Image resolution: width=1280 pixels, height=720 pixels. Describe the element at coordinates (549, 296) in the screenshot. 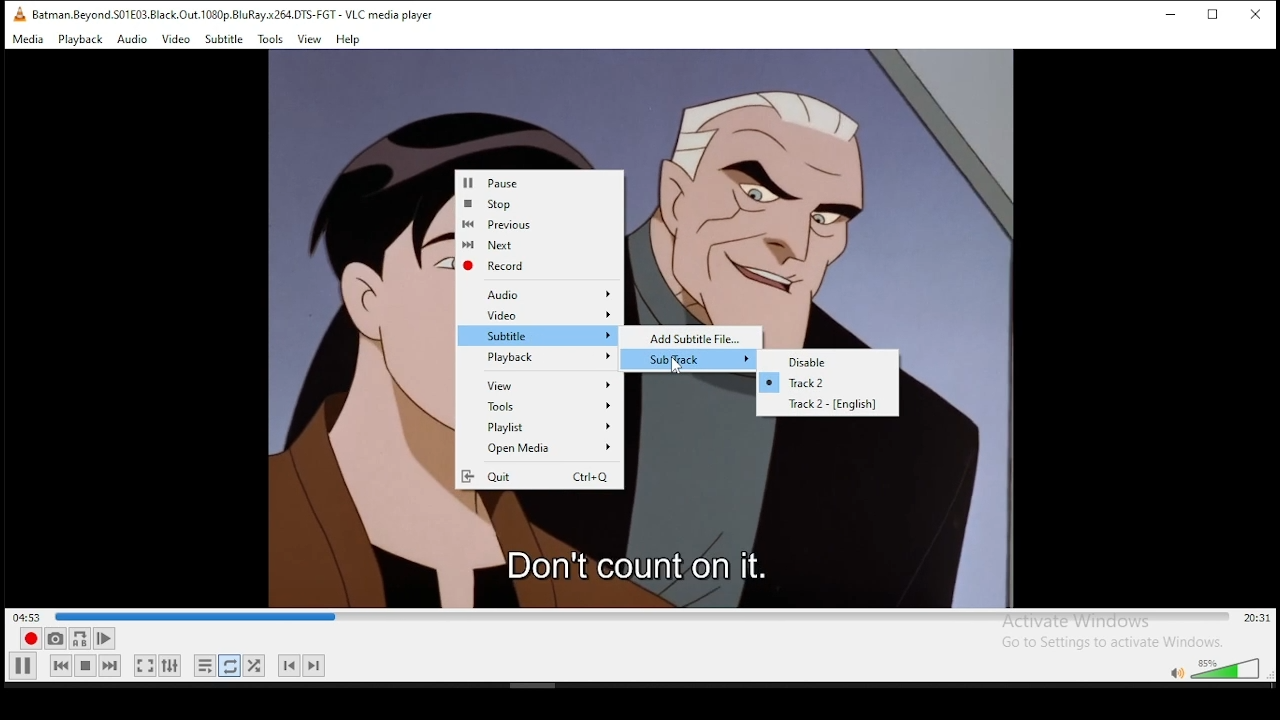

I see `Audio ` at that location.